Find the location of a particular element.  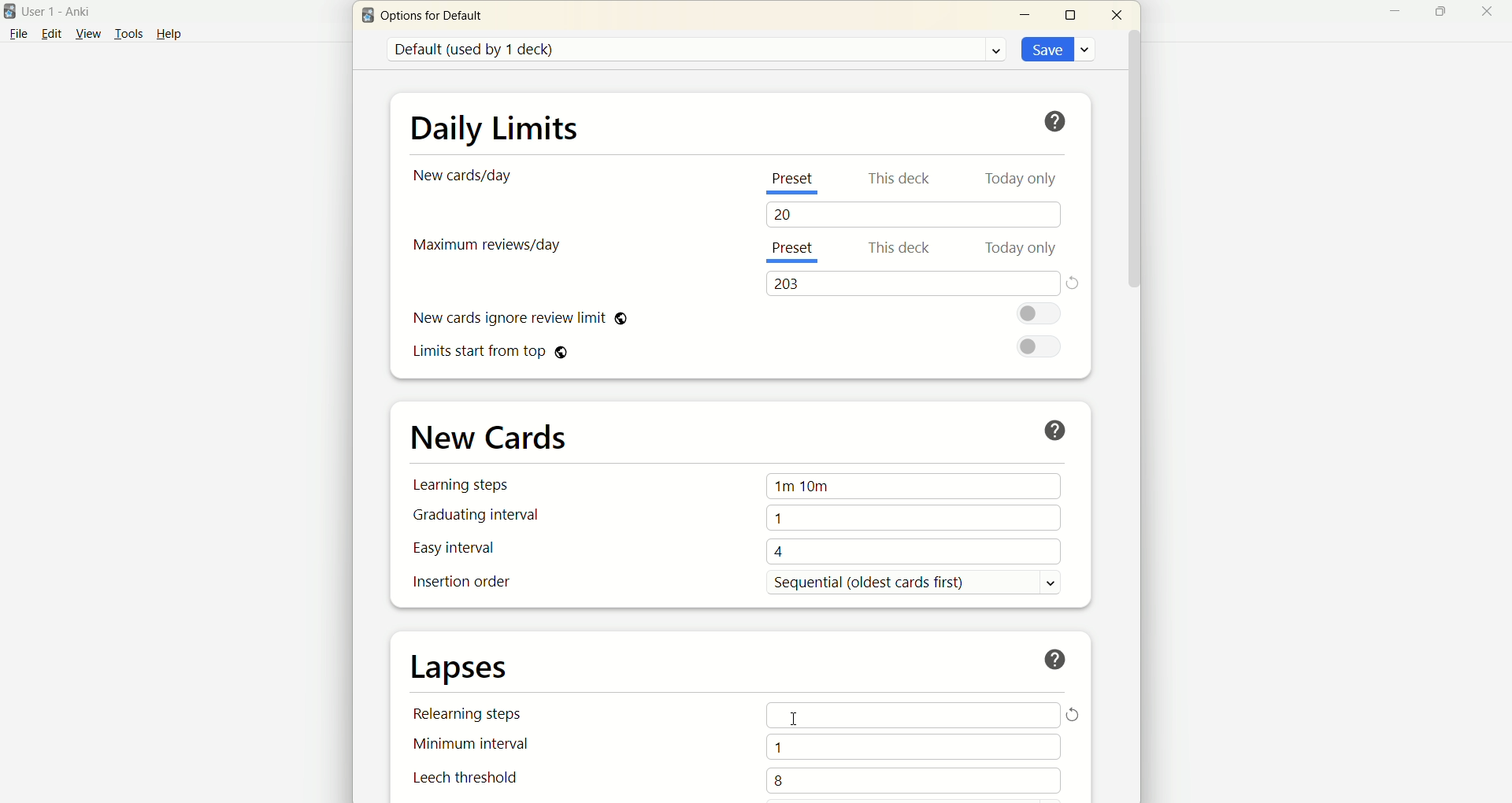

new card ignore review limit is located at coordinates (518, 320).